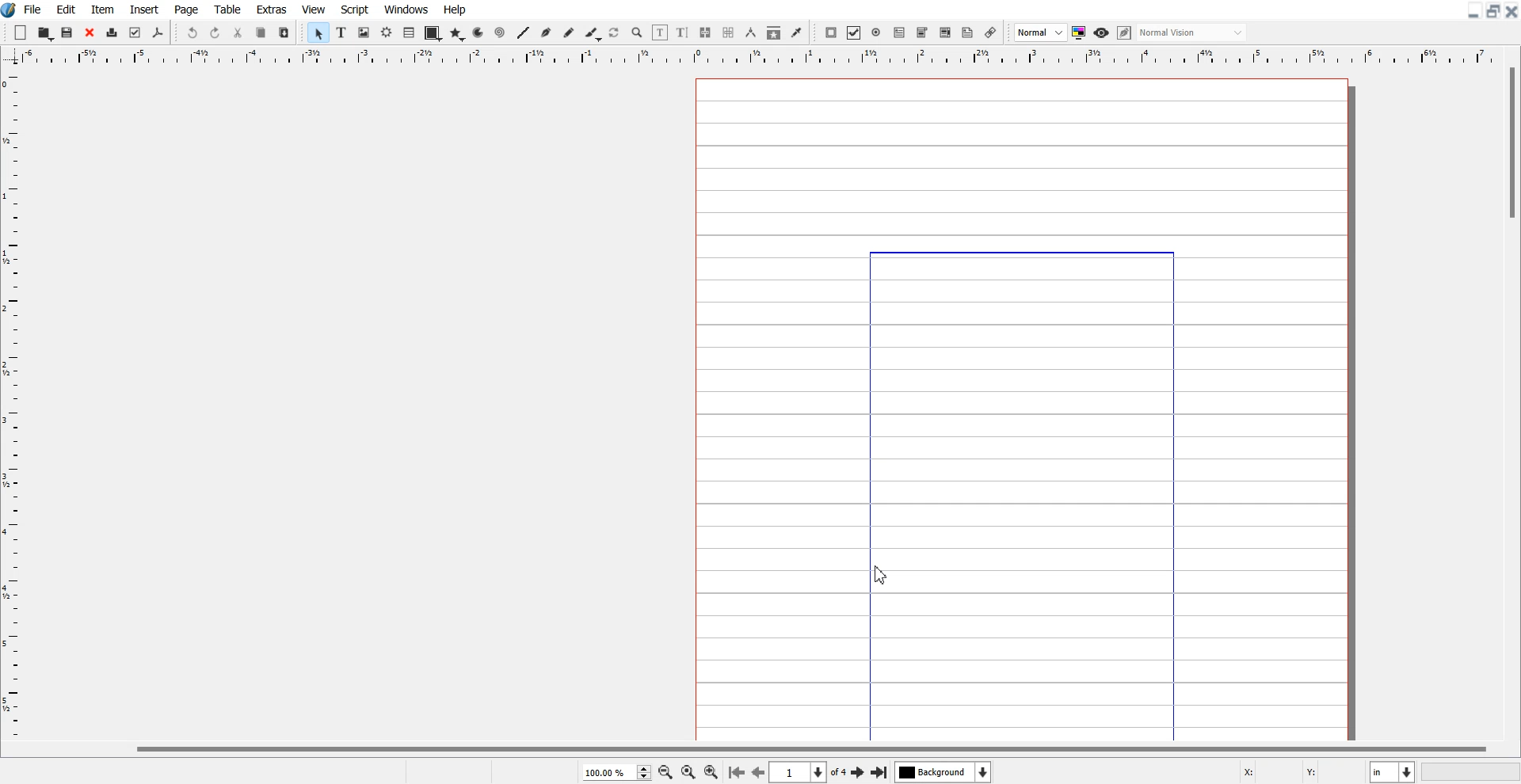  I want to click on New, so click(21, 32).